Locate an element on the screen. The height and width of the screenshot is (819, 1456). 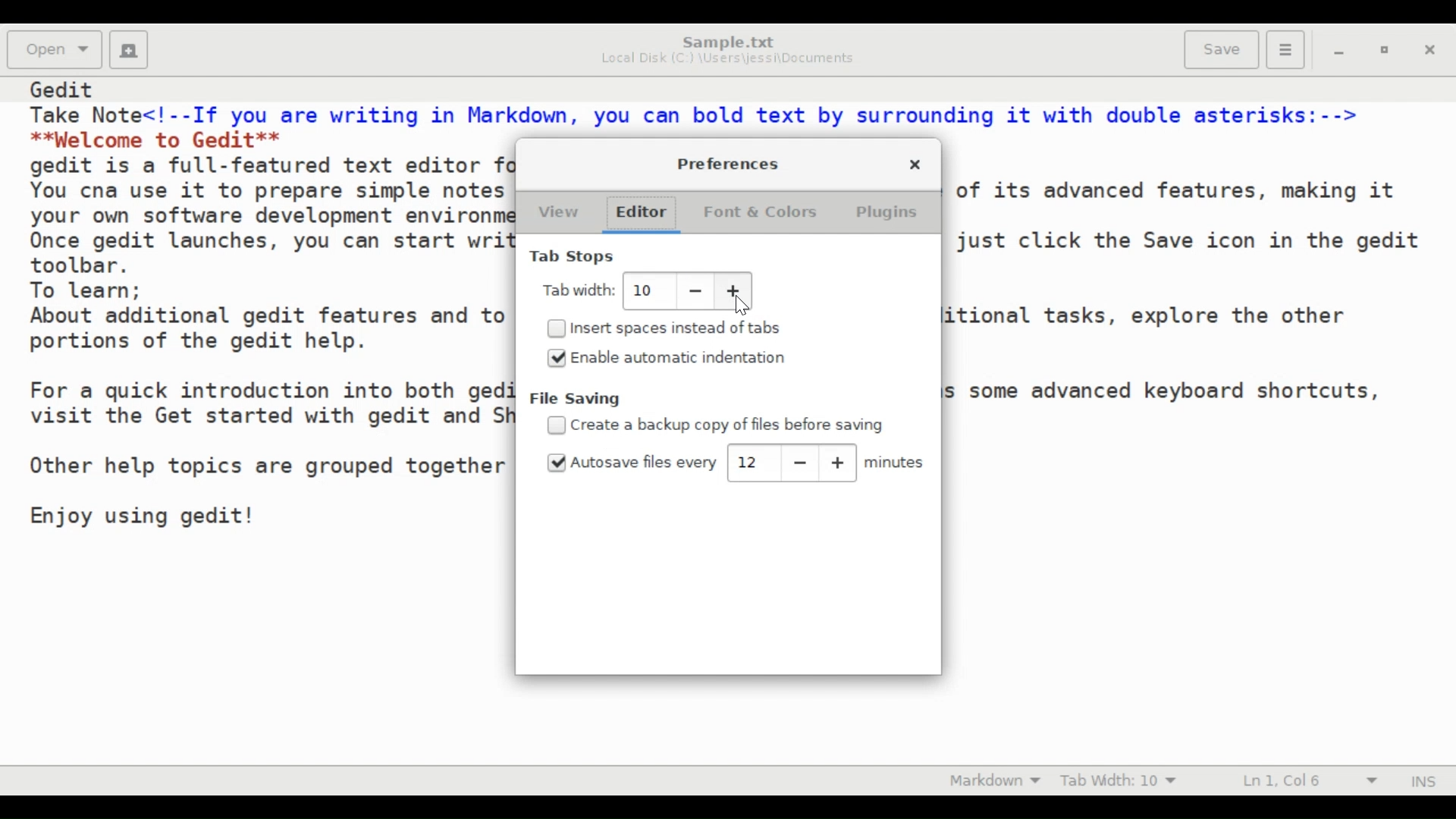
Plugins is located at coordinates (893, 214).